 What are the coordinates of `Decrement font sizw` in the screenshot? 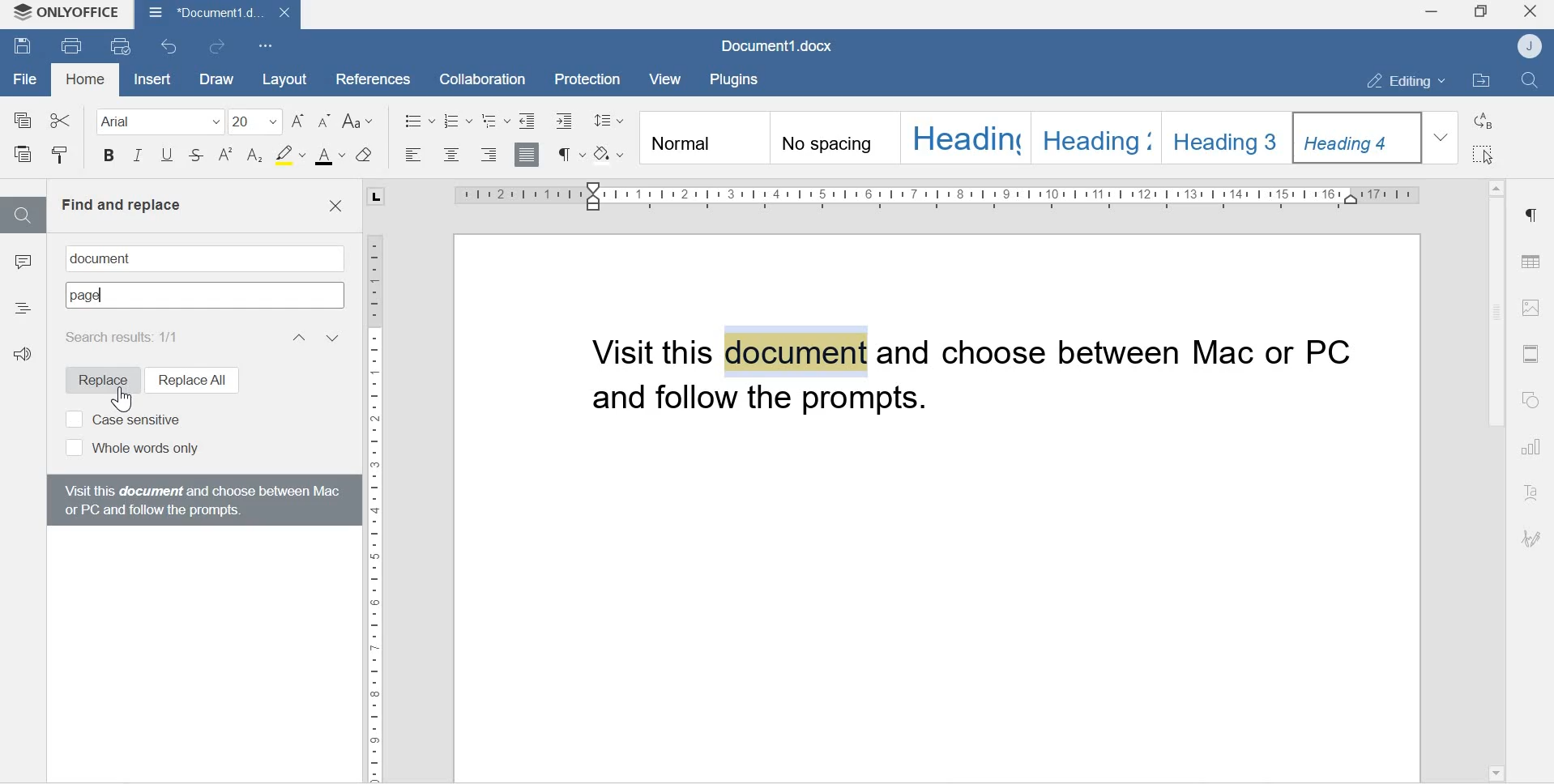 It's located at (325, 121).